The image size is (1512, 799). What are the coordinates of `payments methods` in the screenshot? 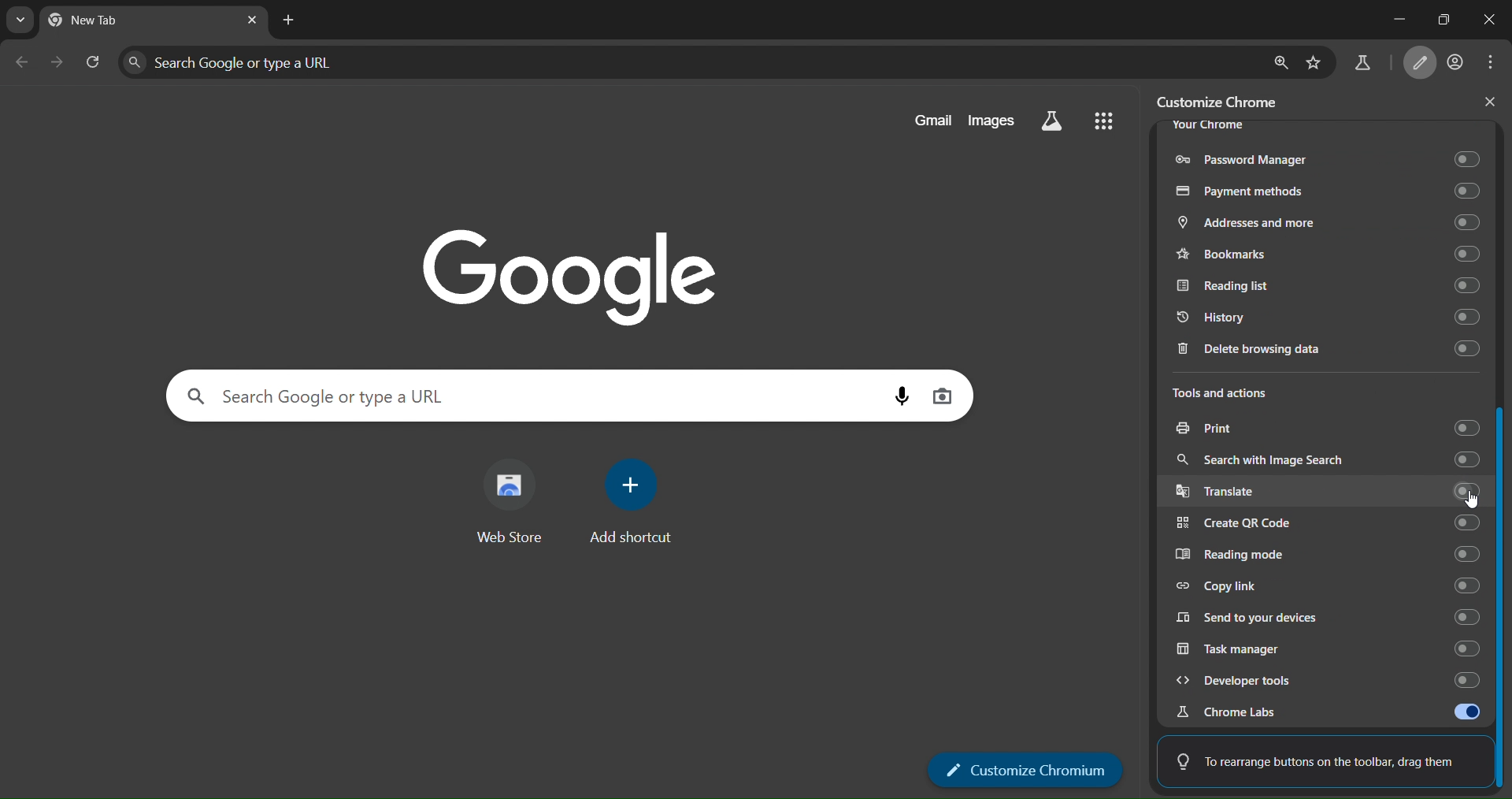 It's located at (1328, 189).